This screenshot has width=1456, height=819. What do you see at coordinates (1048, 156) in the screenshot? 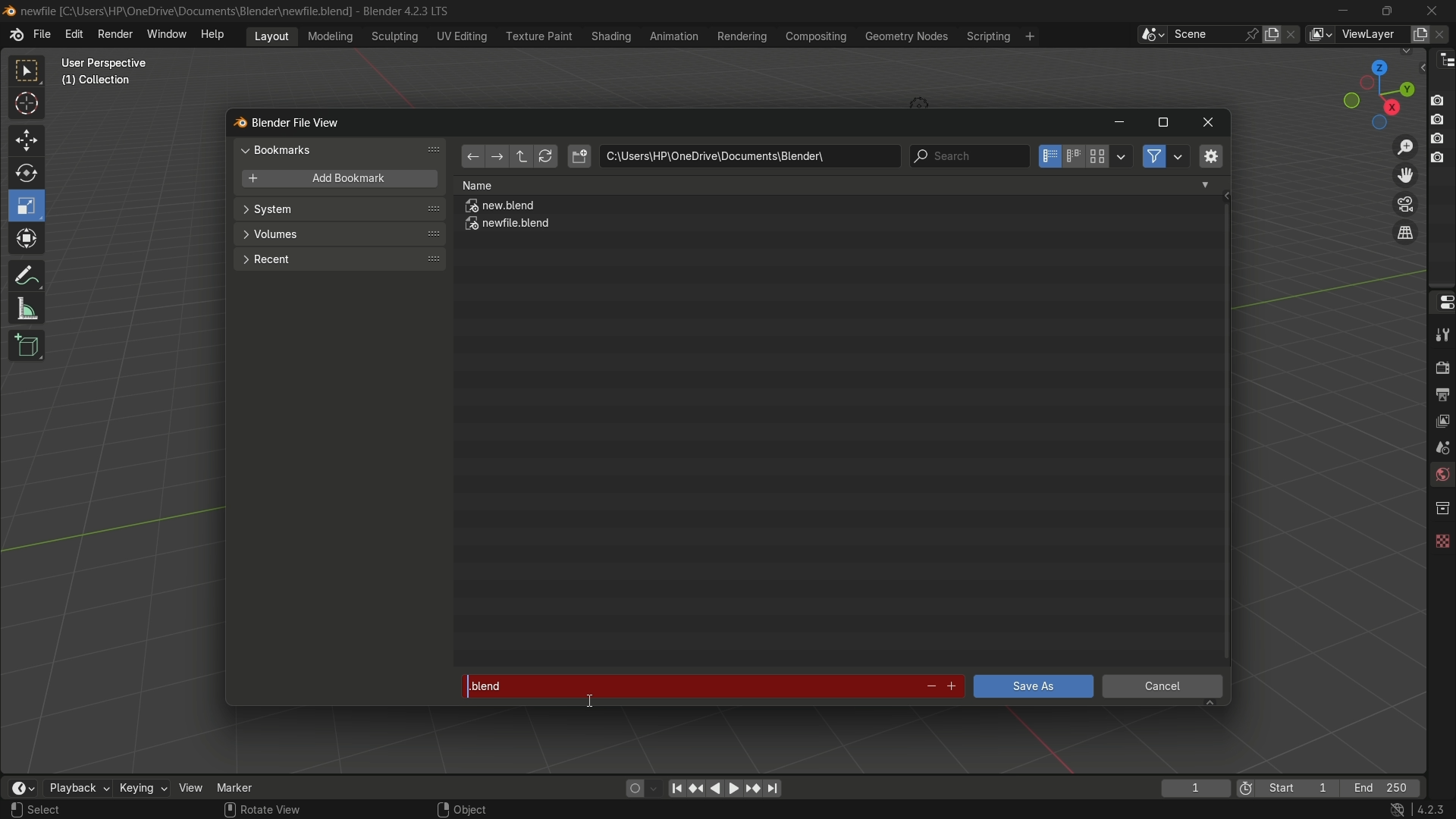
I see `vertical list` at bounding box center [1048, 156].